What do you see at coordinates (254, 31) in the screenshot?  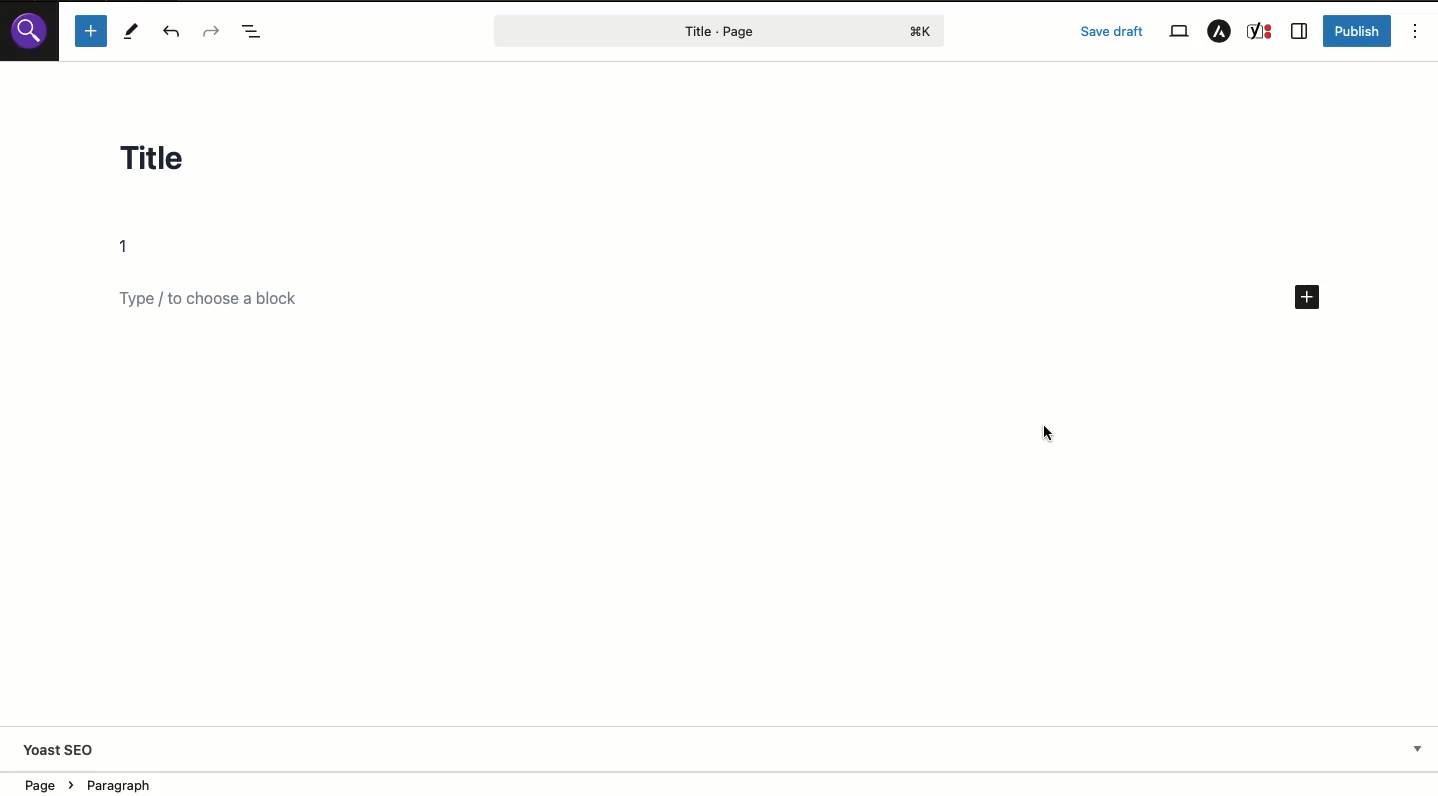 I see `Document overview` at bounding box center [254, 31].